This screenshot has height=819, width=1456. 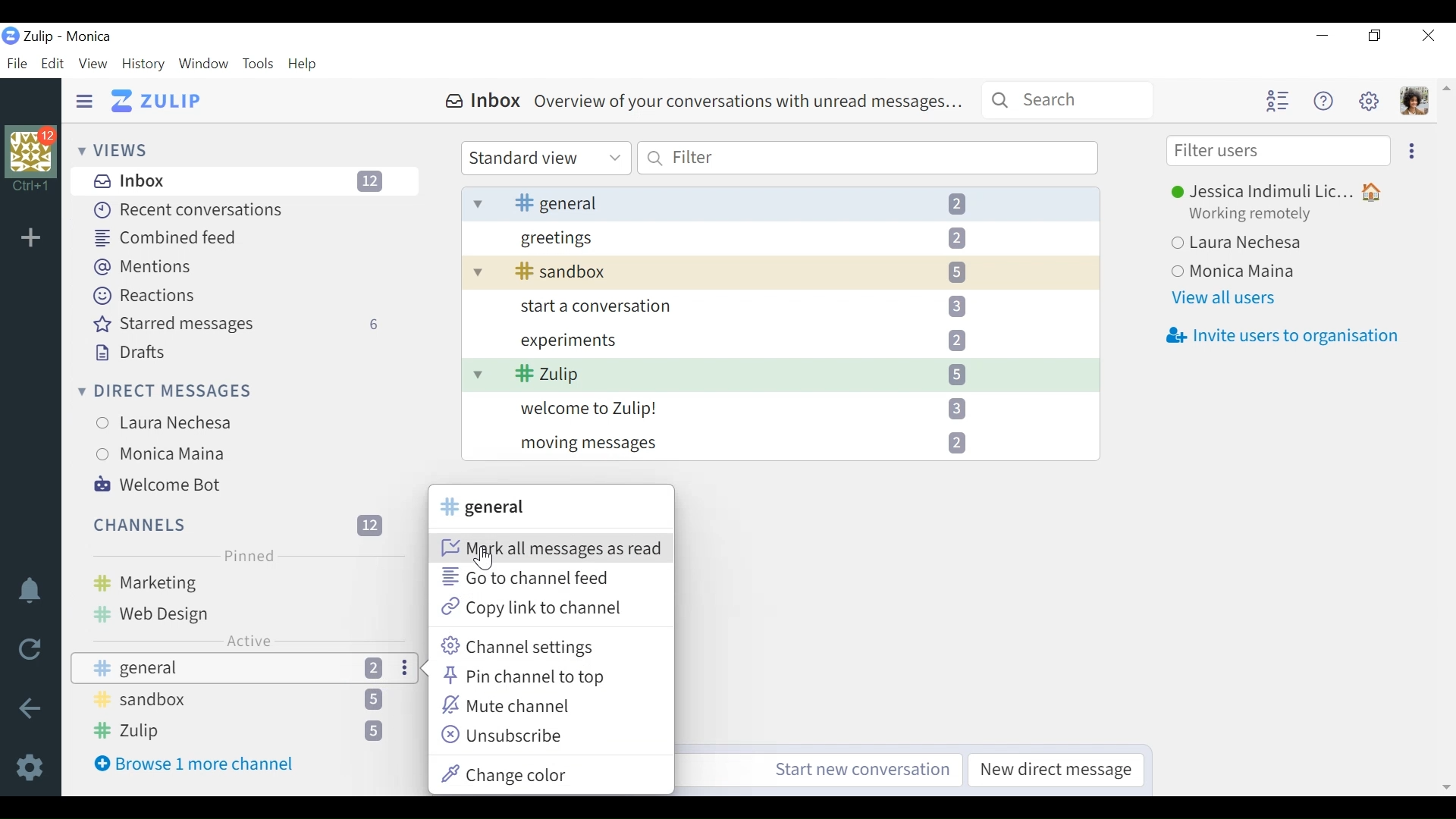 I want to click on Restore, so click(x=1373, y=36).